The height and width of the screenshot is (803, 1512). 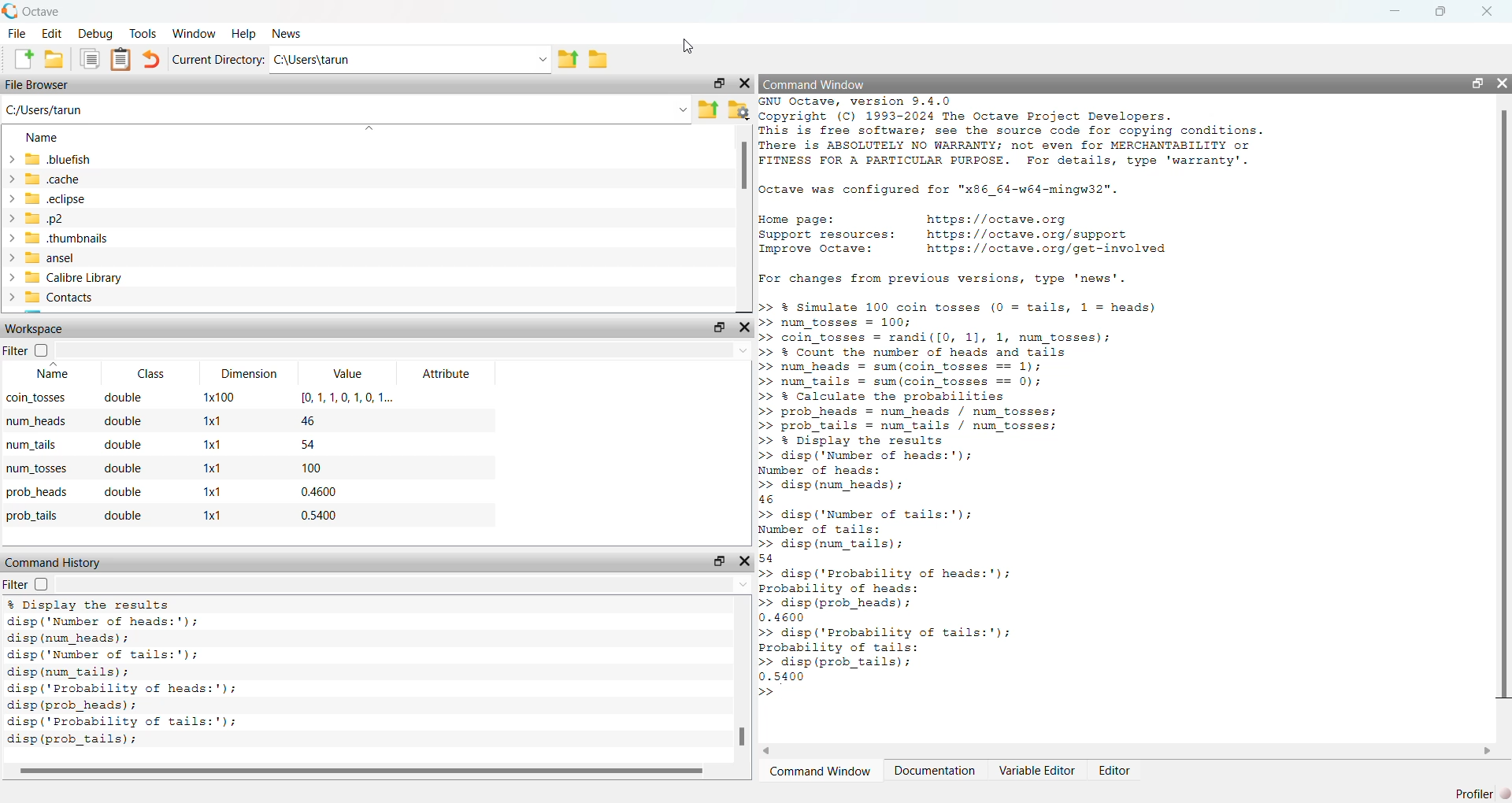 What do you see at coordinates (814, 85) in the screenshot?
I see `Command Window` at bounding box center [814, 85].